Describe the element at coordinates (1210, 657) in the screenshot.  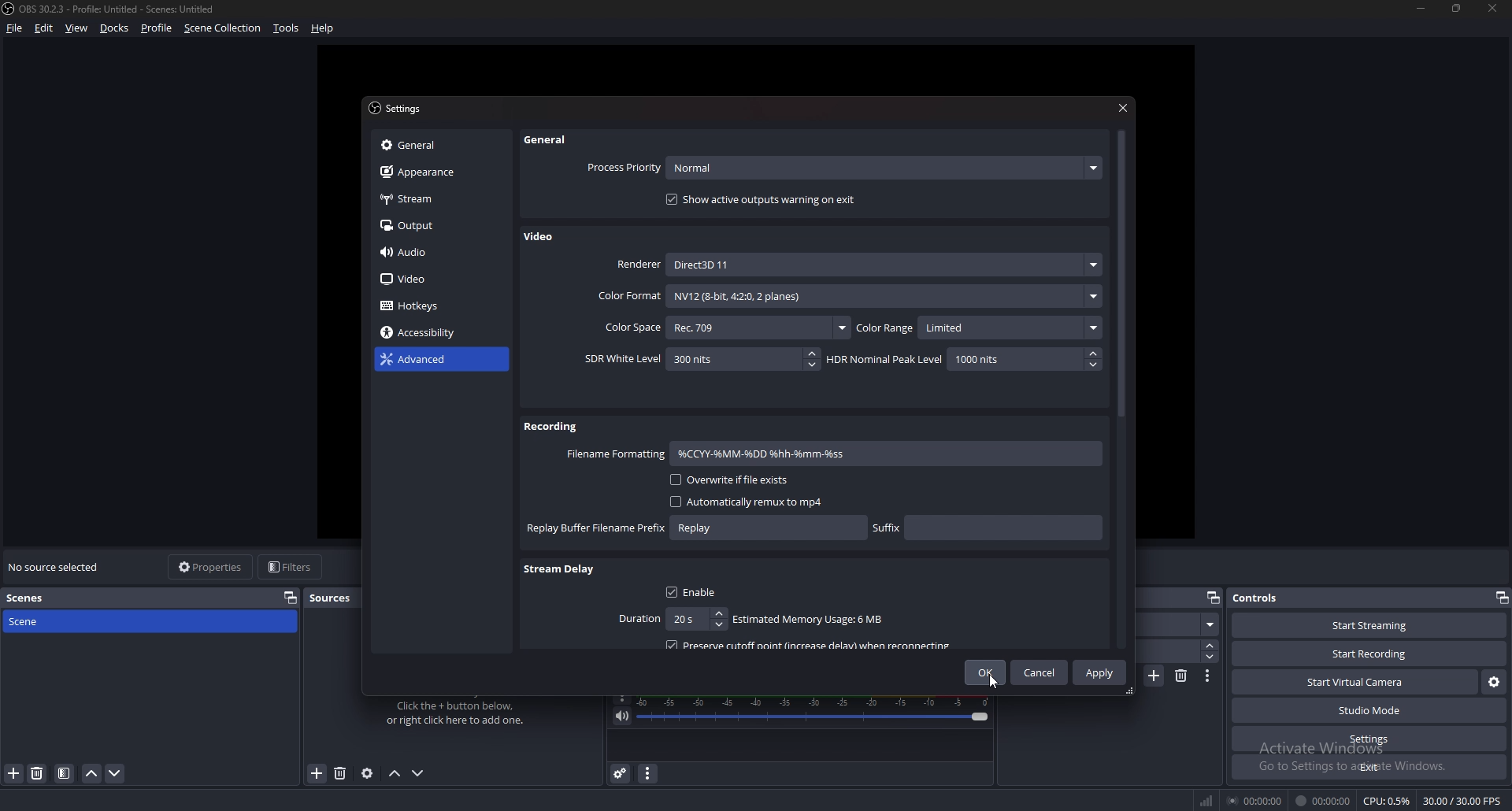
I see `decrease duration` at that location.